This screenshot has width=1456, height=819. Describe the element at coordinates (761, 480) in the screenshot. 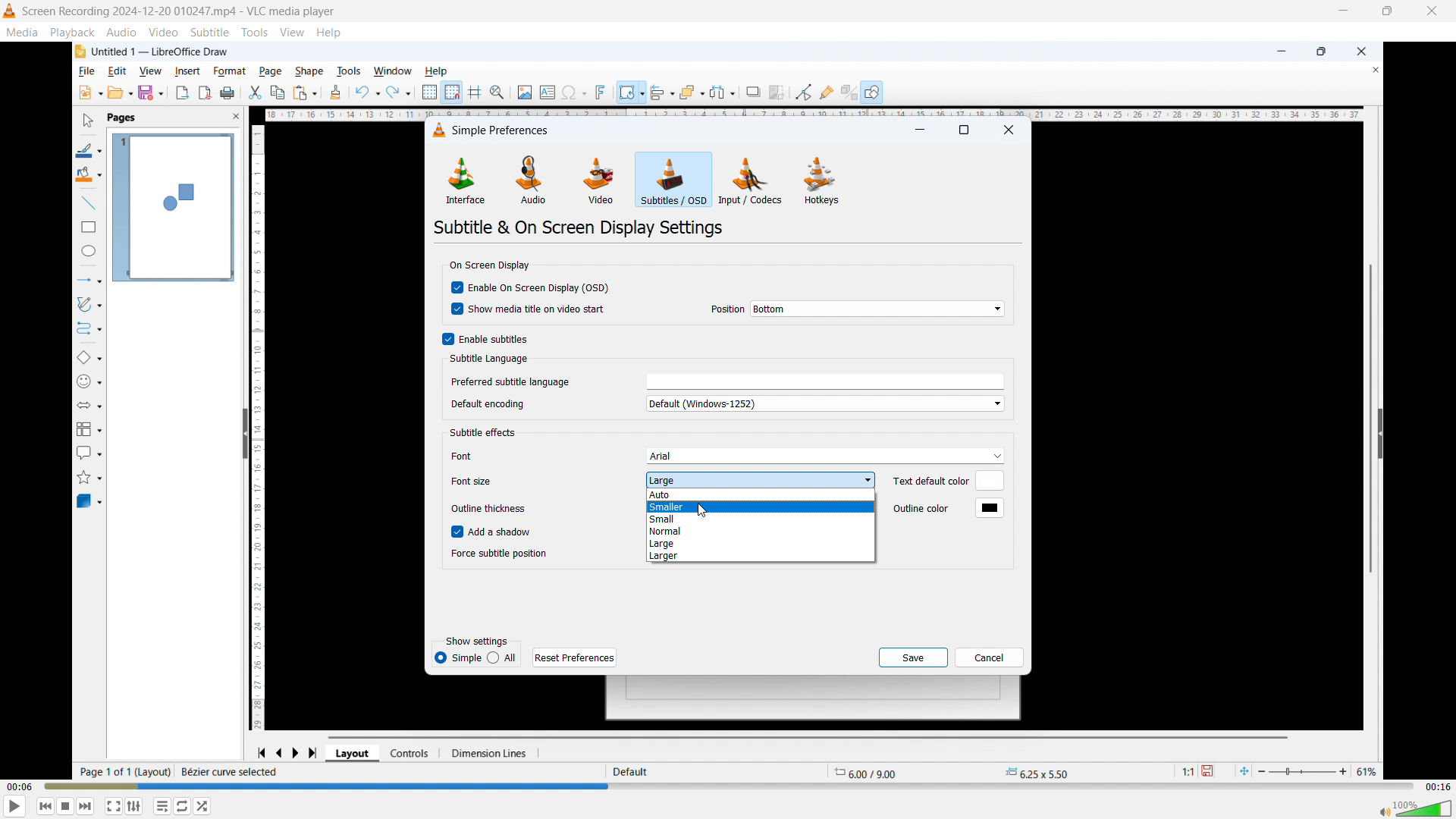

I see `Set subtitle font size ` at that location.